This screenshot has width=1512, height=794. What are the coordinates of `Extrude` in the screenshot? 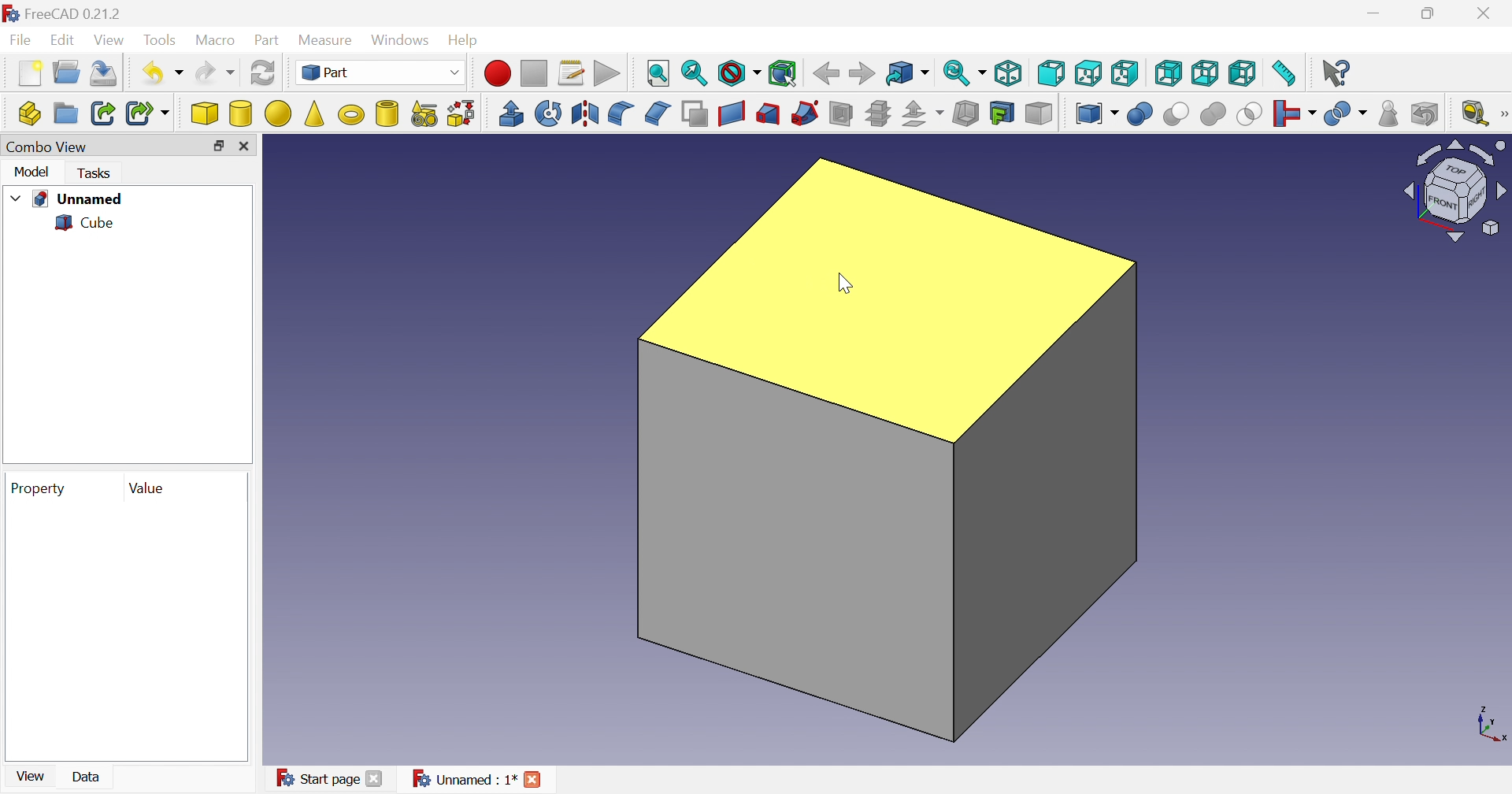 It's located at (511, 114).